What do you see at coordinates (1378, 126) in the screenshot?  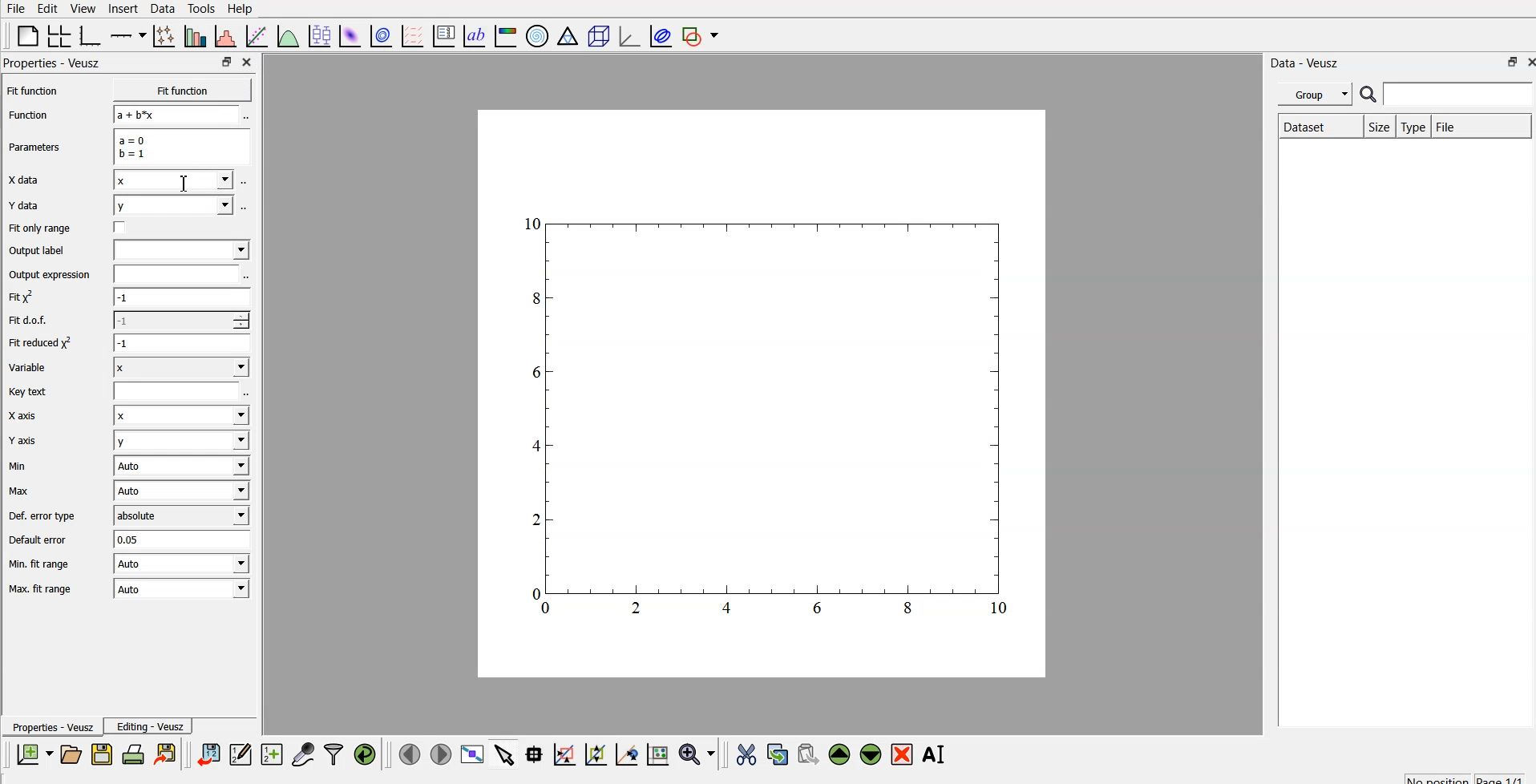 I see `size` at bounding box center [1378, 126].